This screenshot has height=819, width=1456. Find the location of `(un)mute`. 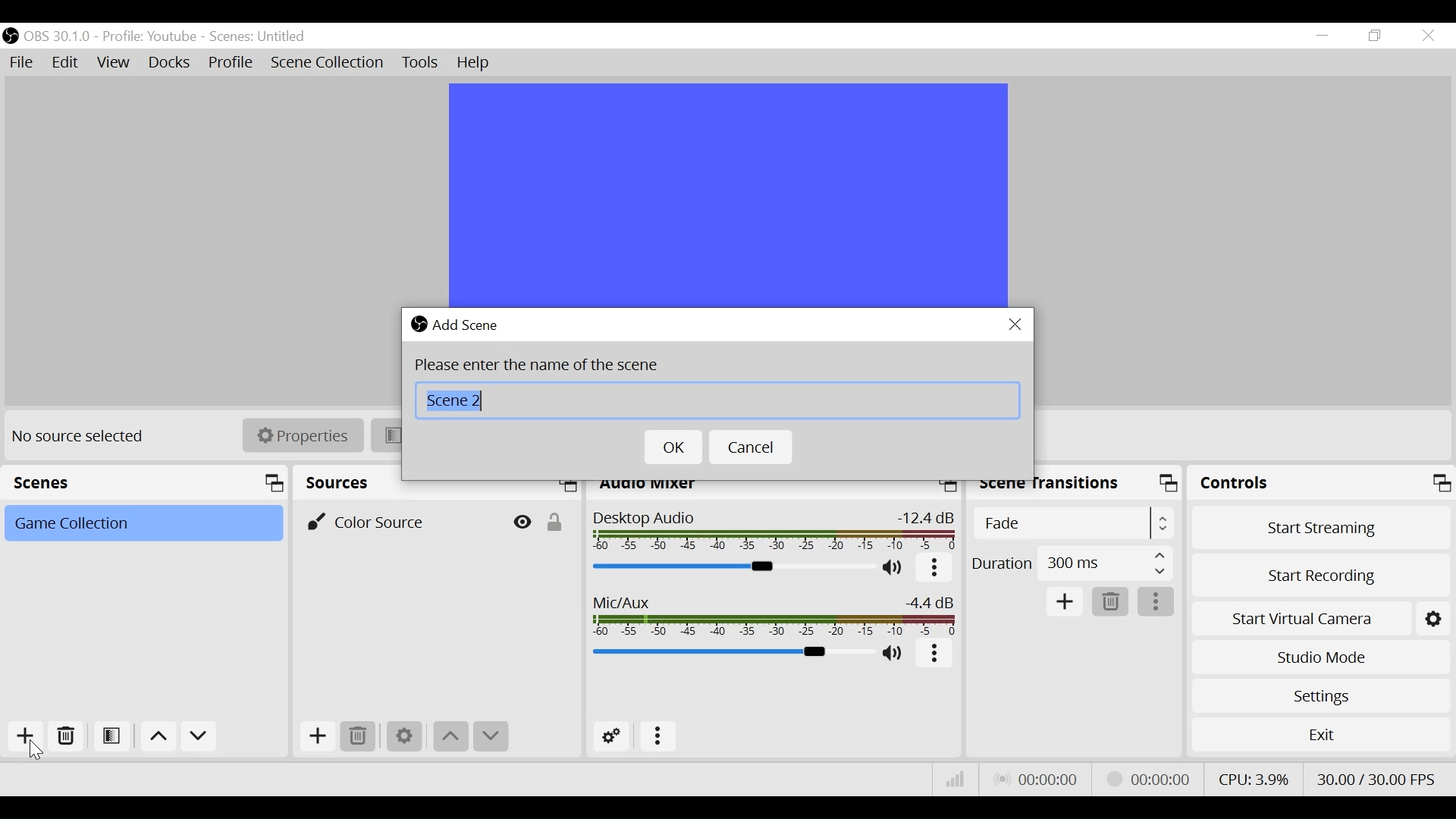

(un)mute is located at coordinates (895, 570).